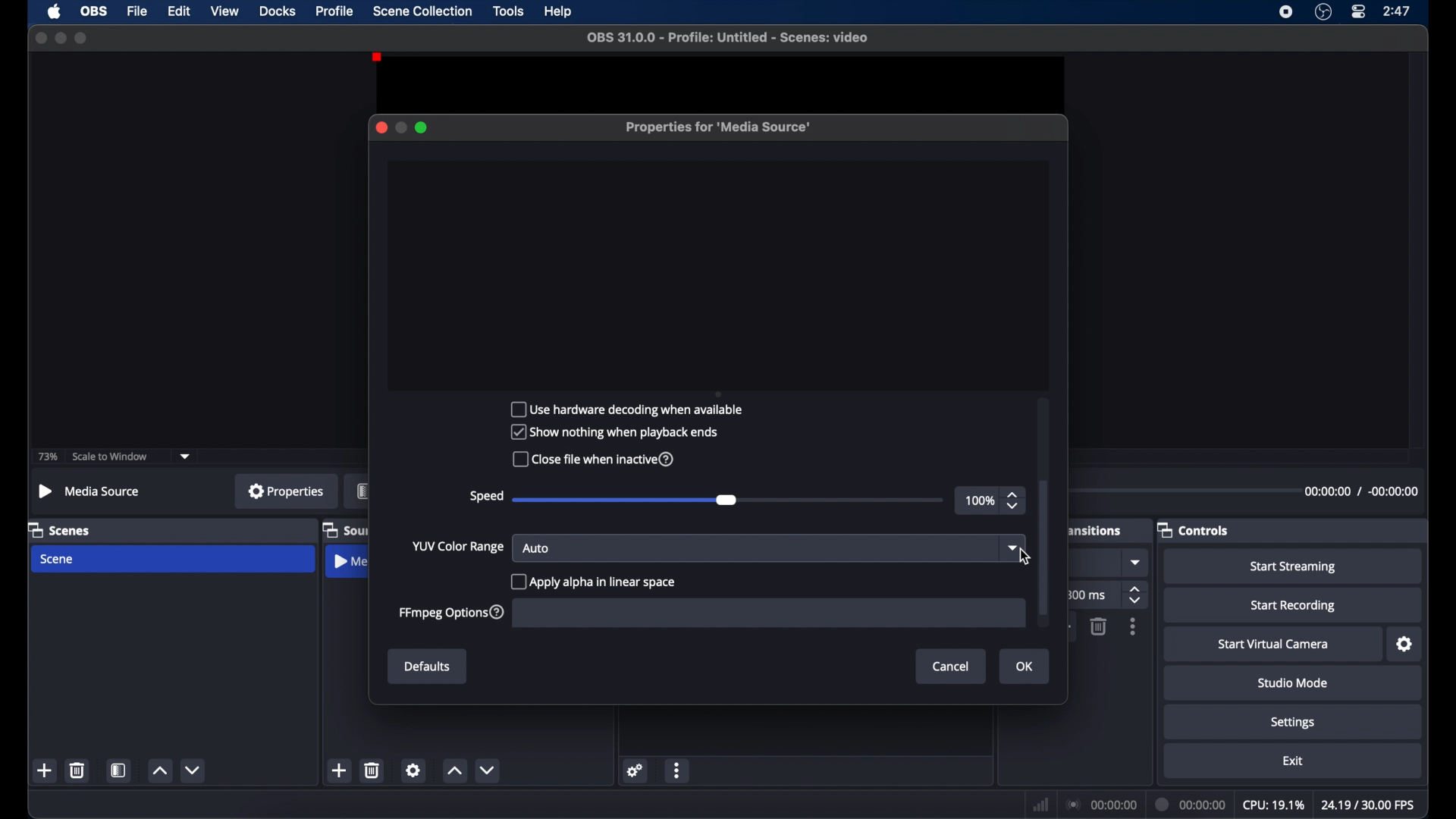 The height and width of the screenshot is (819, 1456). Describe the element at coordinates (194, 769) in the screenshot. I see `decrement button` at that location.